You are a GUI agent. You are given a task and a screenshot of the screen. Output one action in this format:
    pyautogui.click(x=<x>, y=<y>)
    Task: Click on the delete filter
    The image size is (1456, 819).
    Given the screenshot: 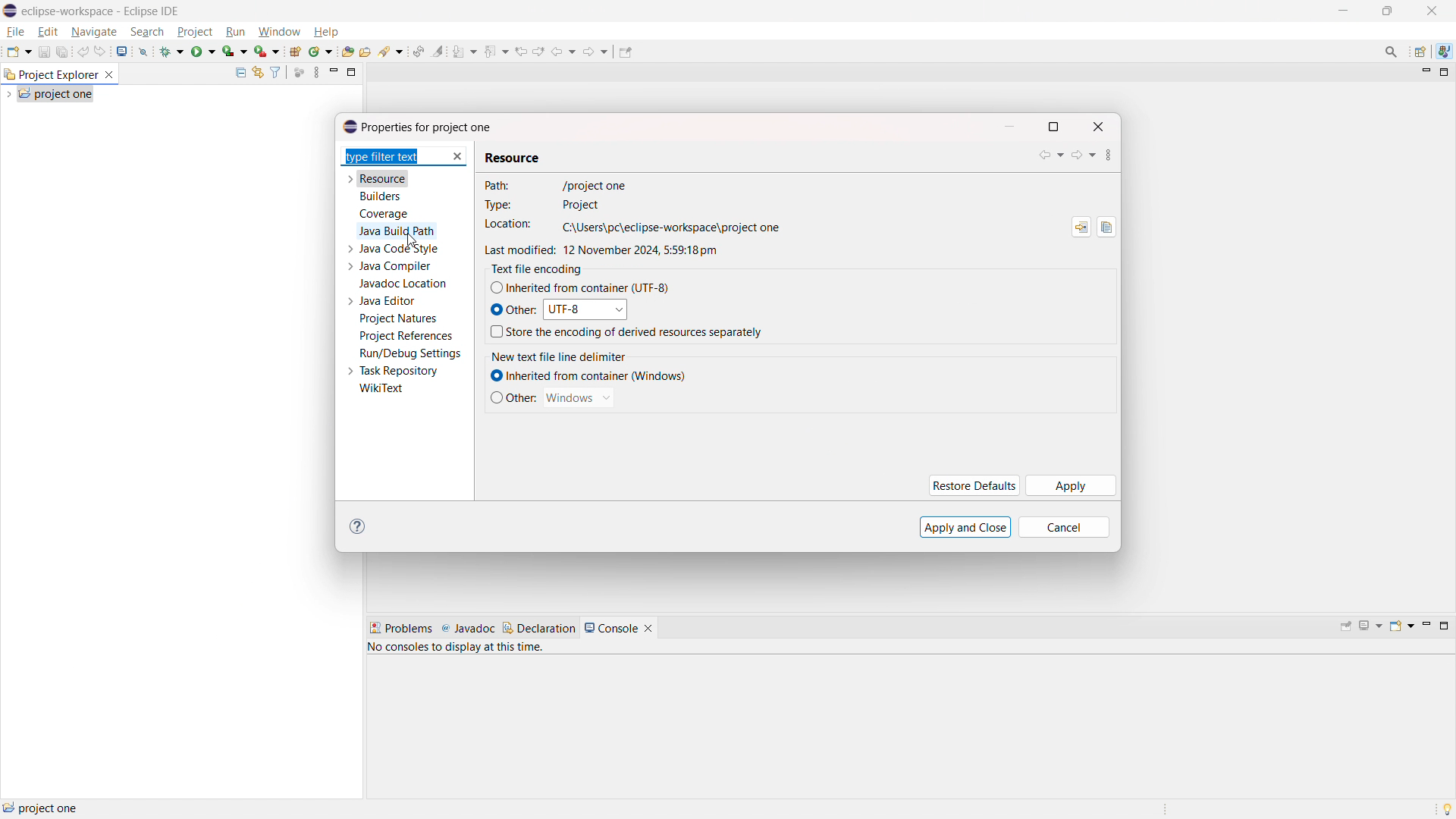 What is the action you would take?
    pyautogui.click(x=458, y=157)
    